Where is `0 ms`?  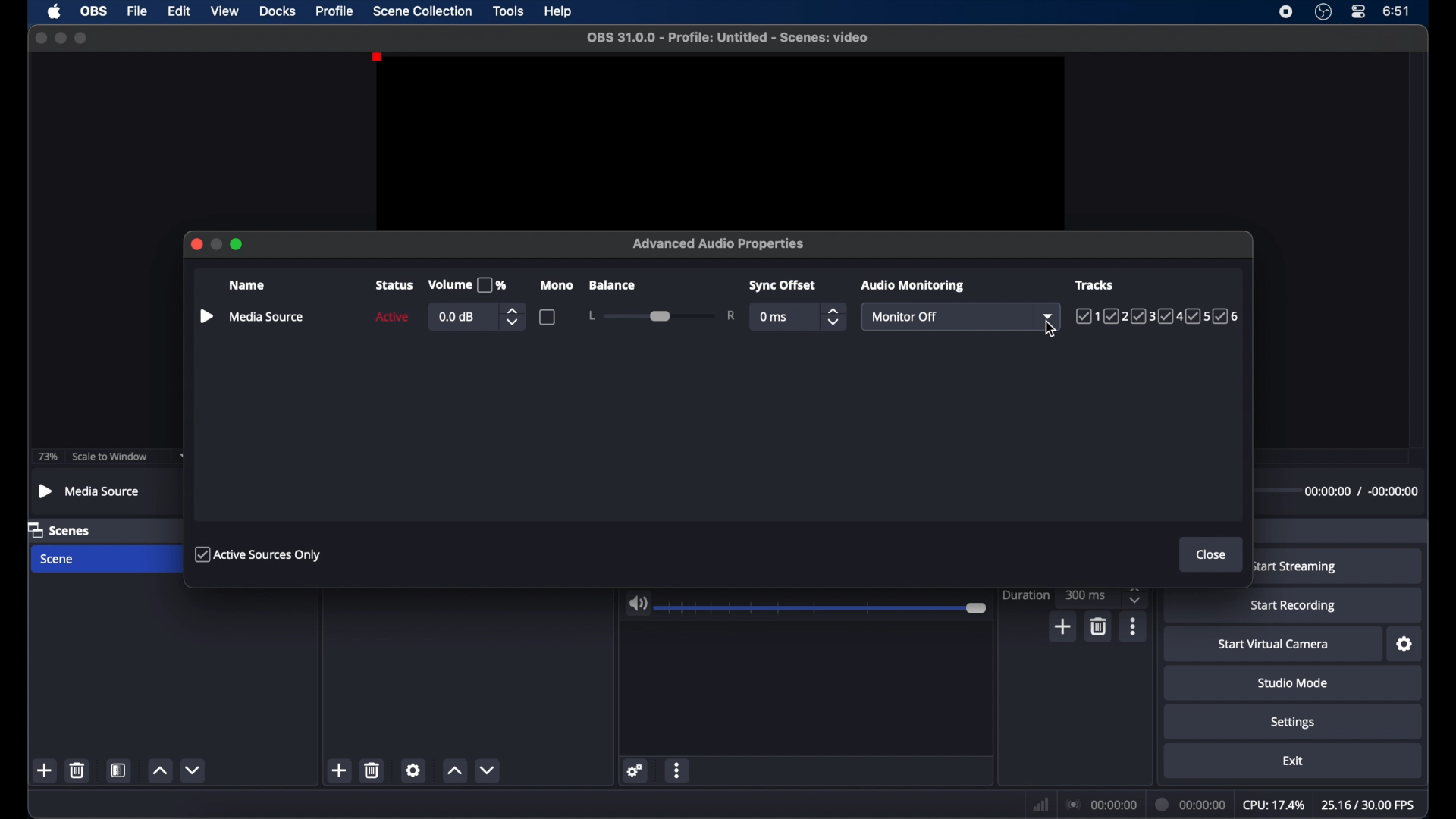
0 ms is located at coordinates (773, 318).